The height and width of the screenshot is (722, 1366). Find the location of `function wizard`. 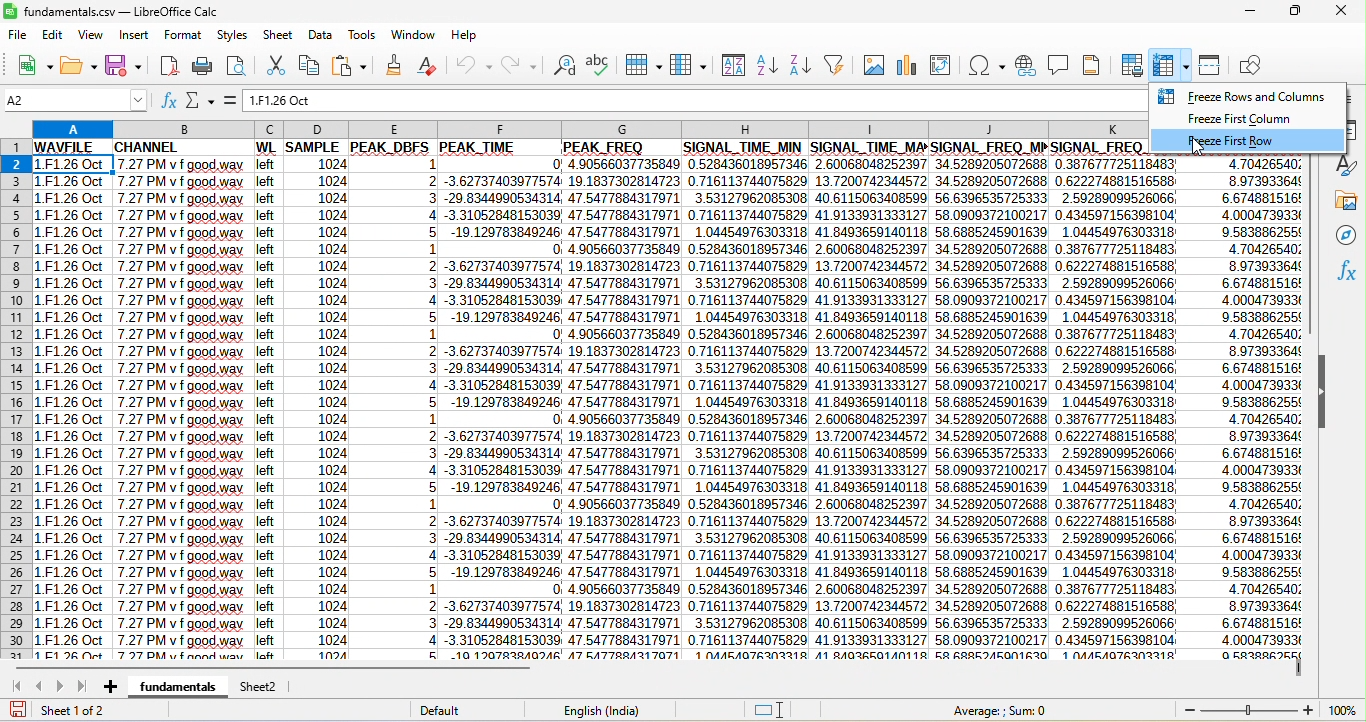

function wizard is located at coordinates (170, 102).